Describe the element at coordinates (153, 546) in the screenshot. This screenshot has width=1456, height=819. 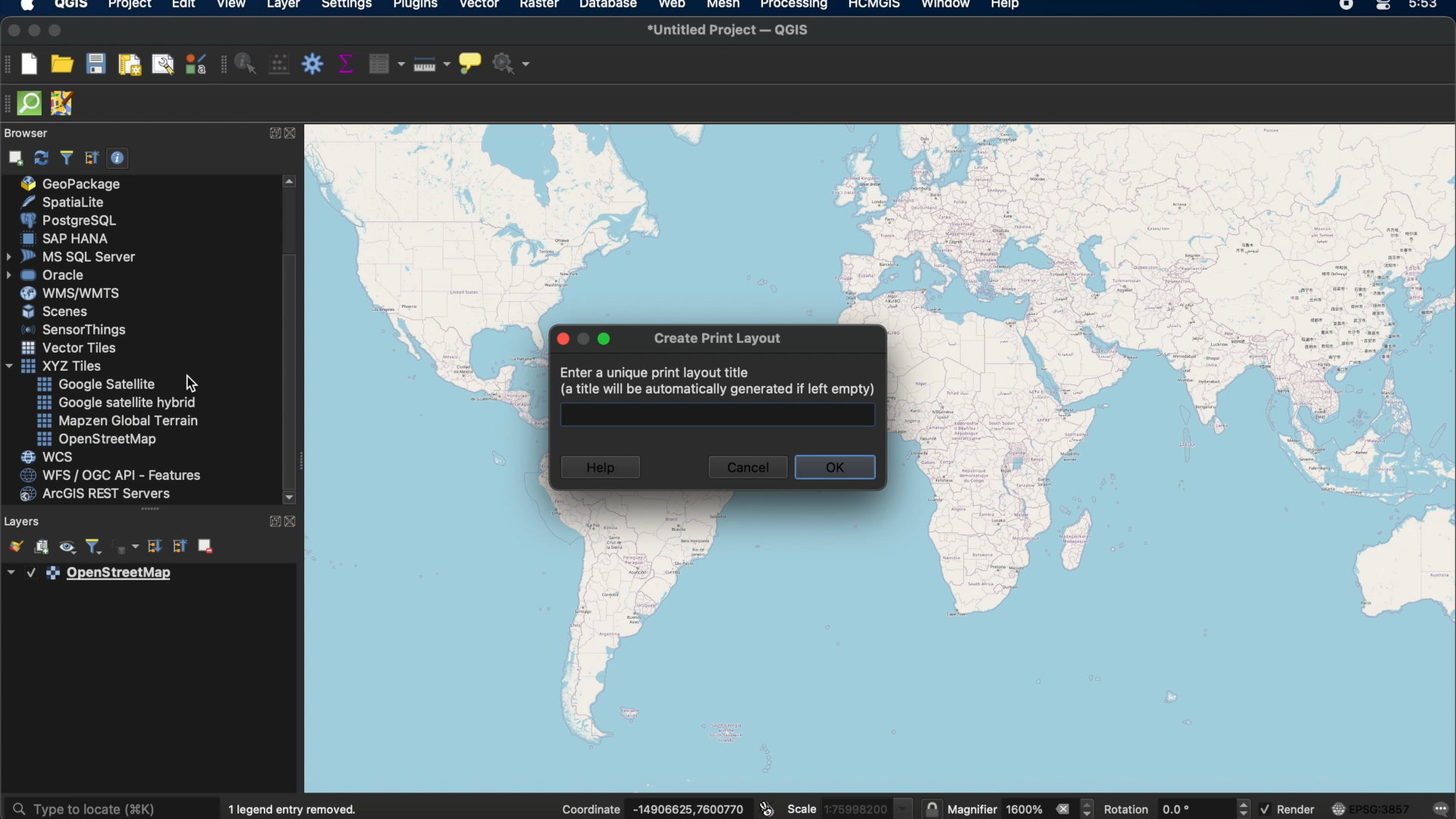
I see `expand all` at that location.